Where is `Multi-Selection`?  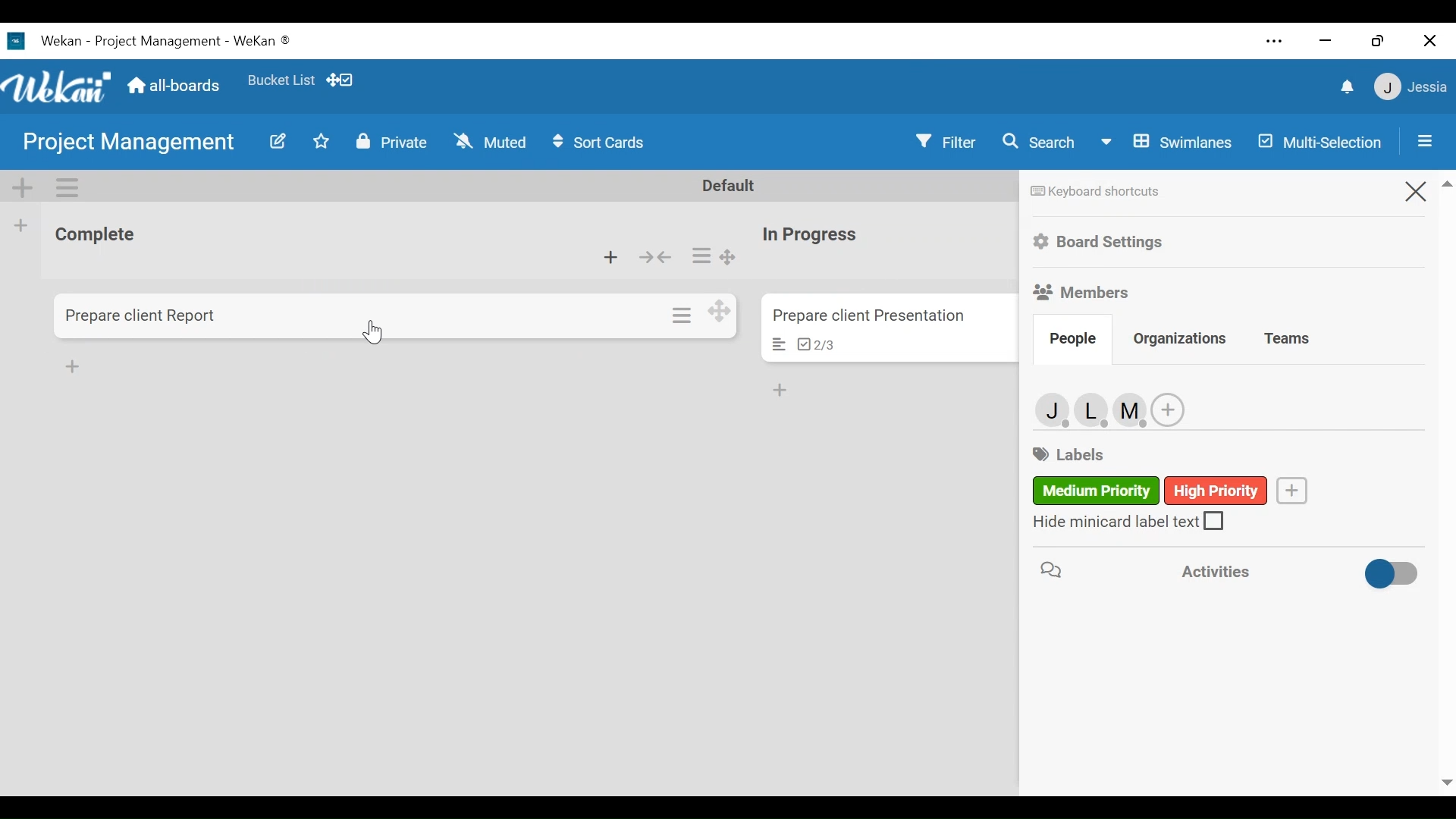 Multi-Selection is located at coordinates (1317, 142).